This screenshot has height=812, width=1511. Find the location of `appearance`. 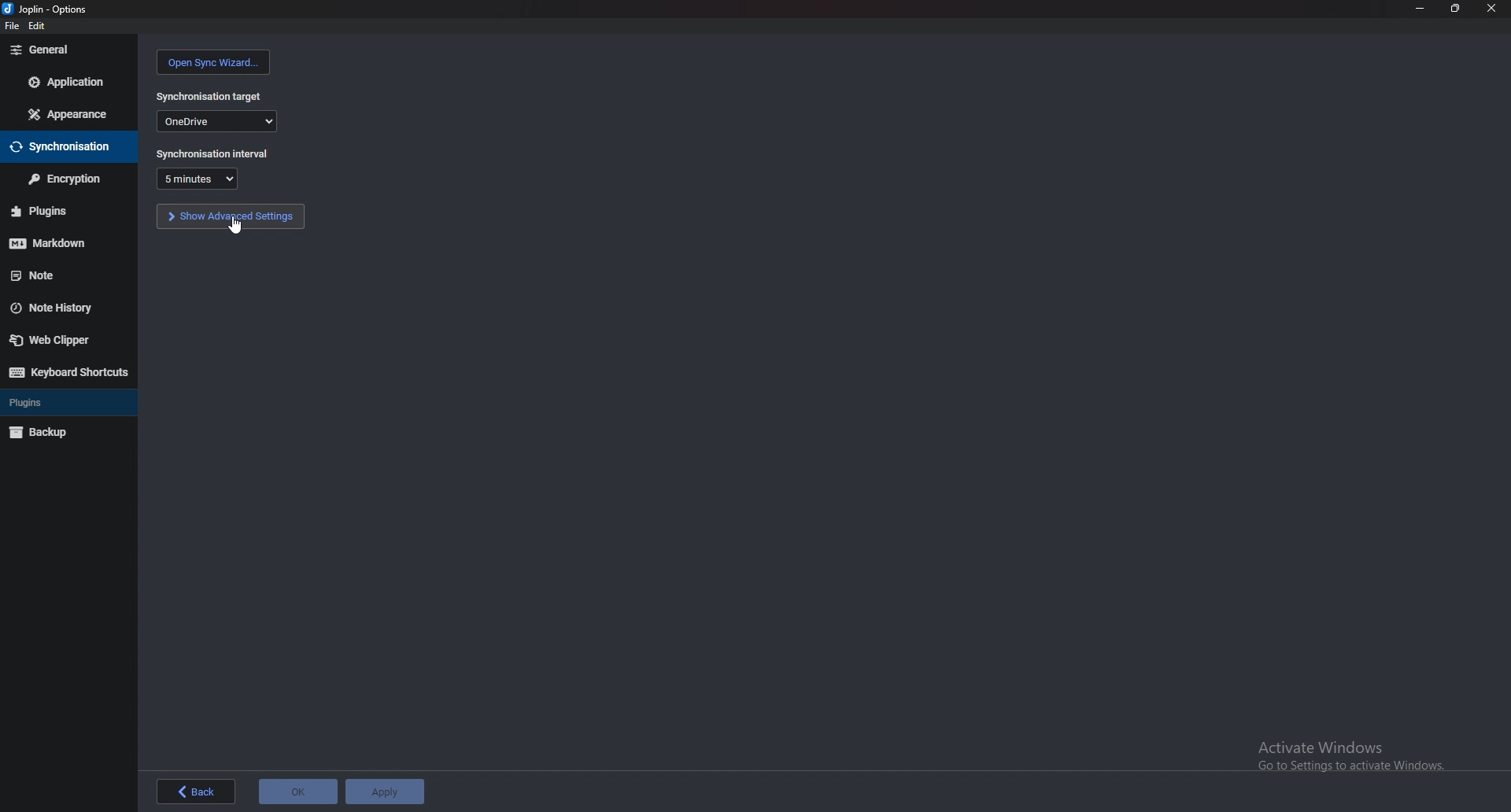

appearance is located at coordinates (66, 115).